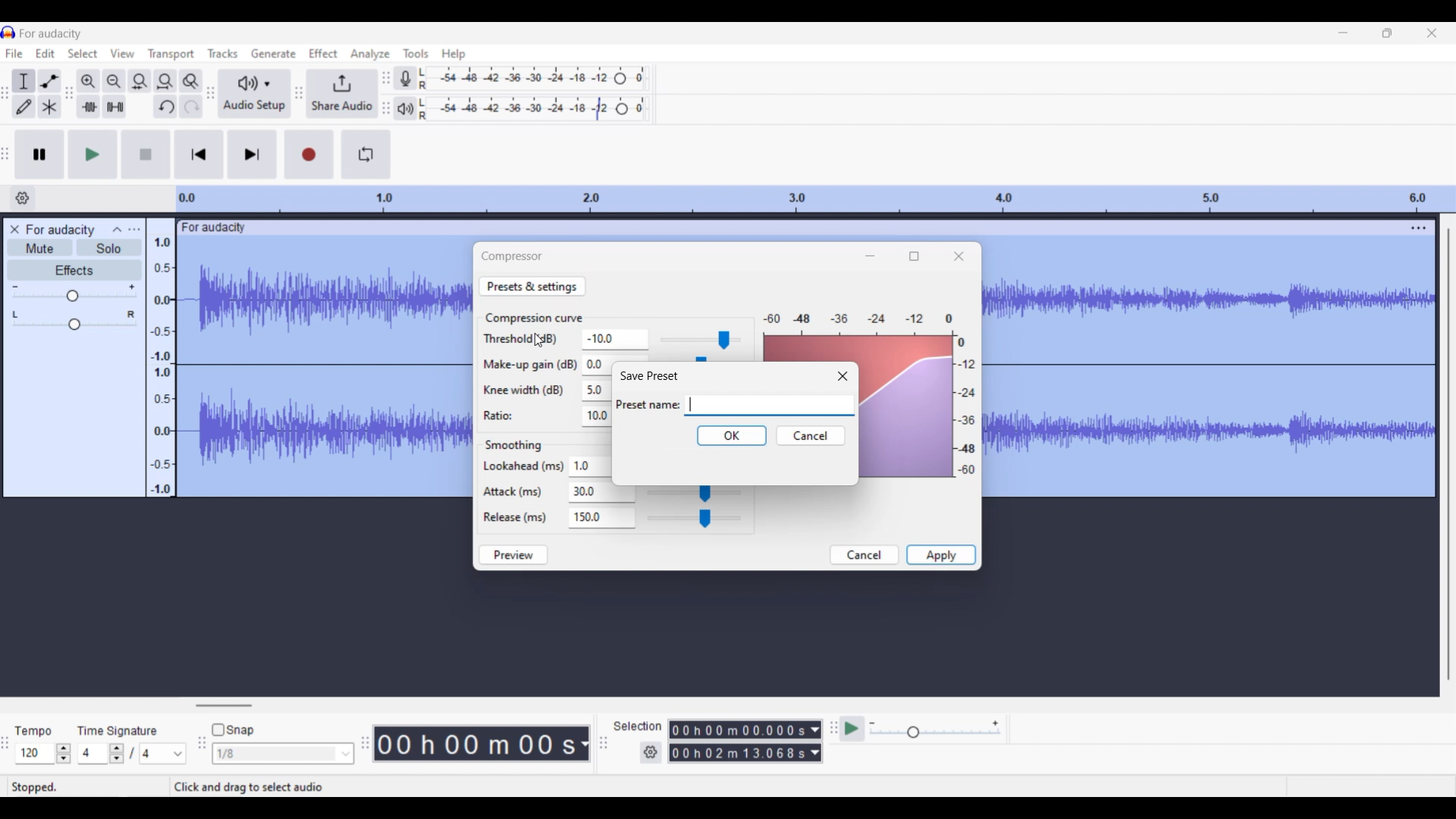 This screenshot has width=1456, height=819. I want to click on Play/Play once, so click(93, 155).